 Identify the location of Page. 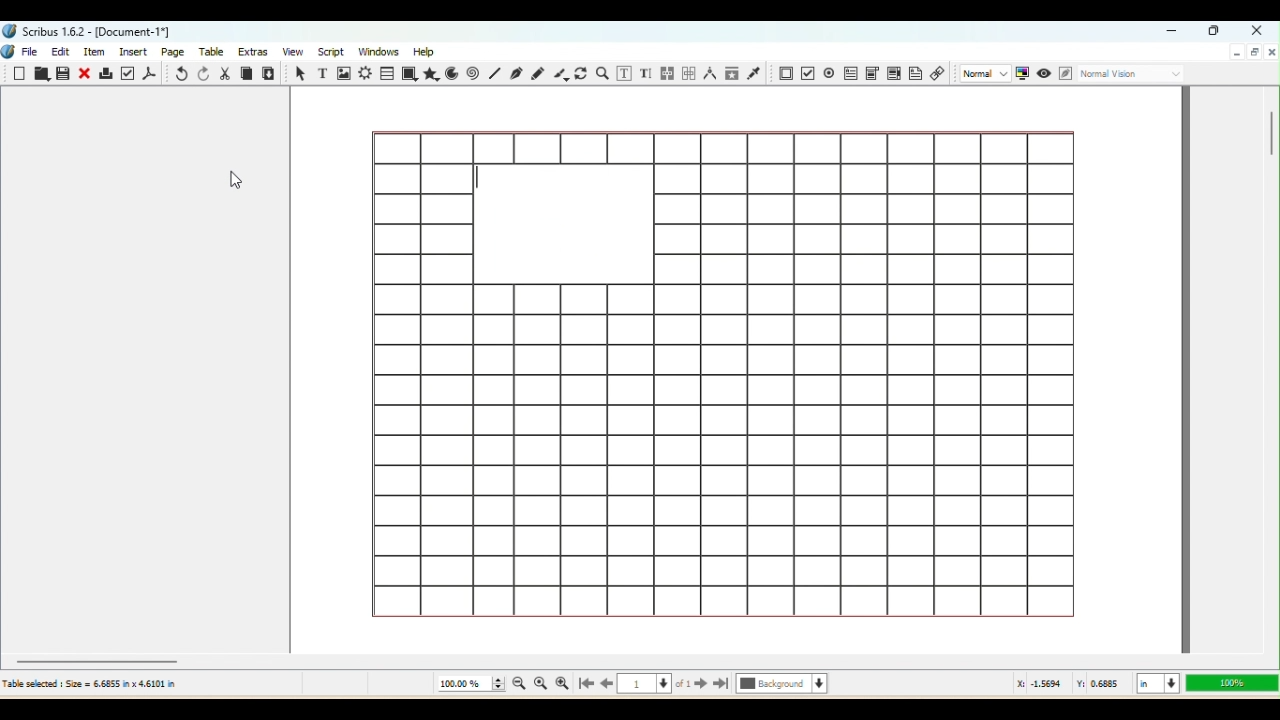
(175, 51).